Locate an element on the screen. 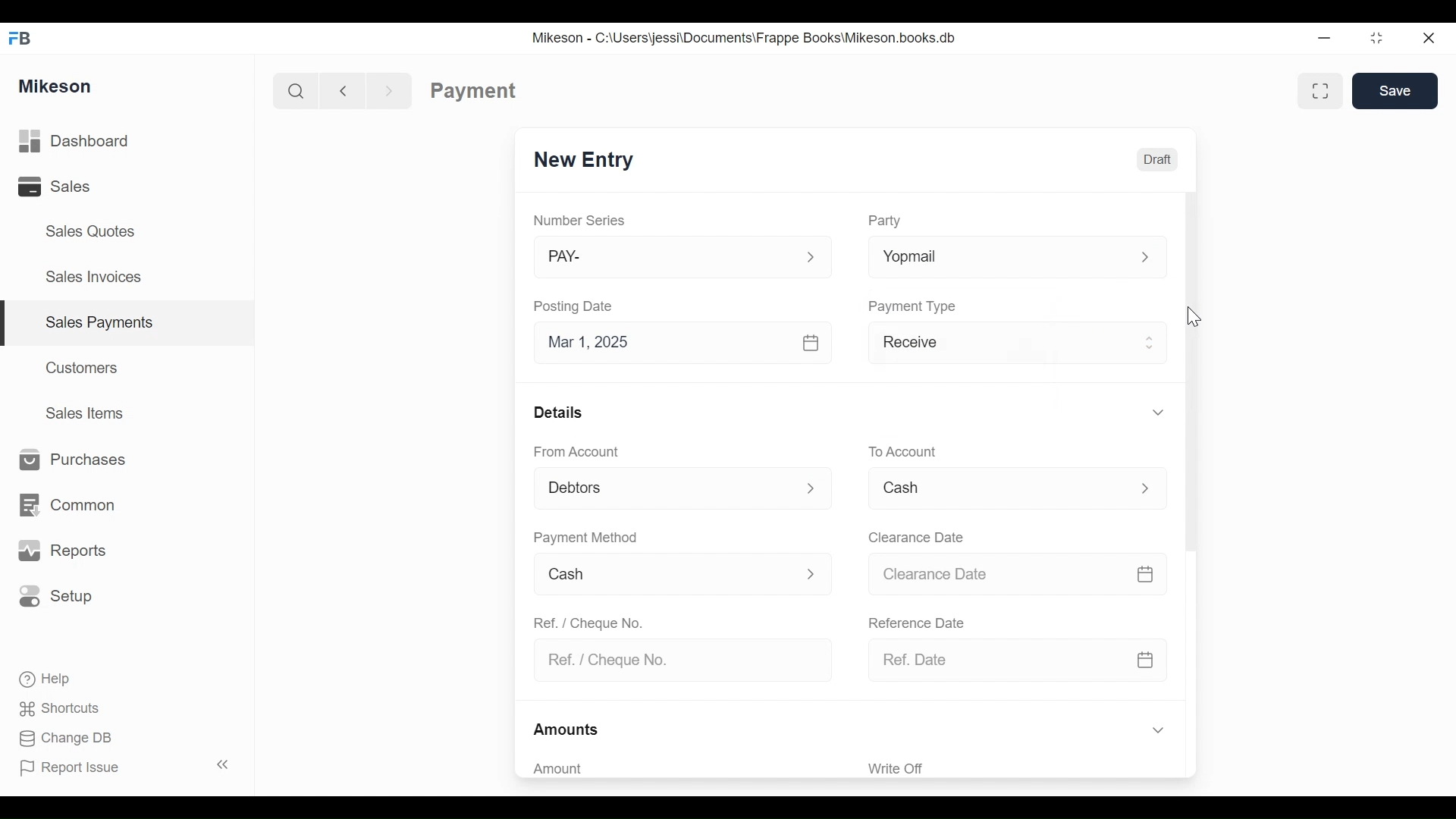  Purchases is located at coordinates (72, 460).